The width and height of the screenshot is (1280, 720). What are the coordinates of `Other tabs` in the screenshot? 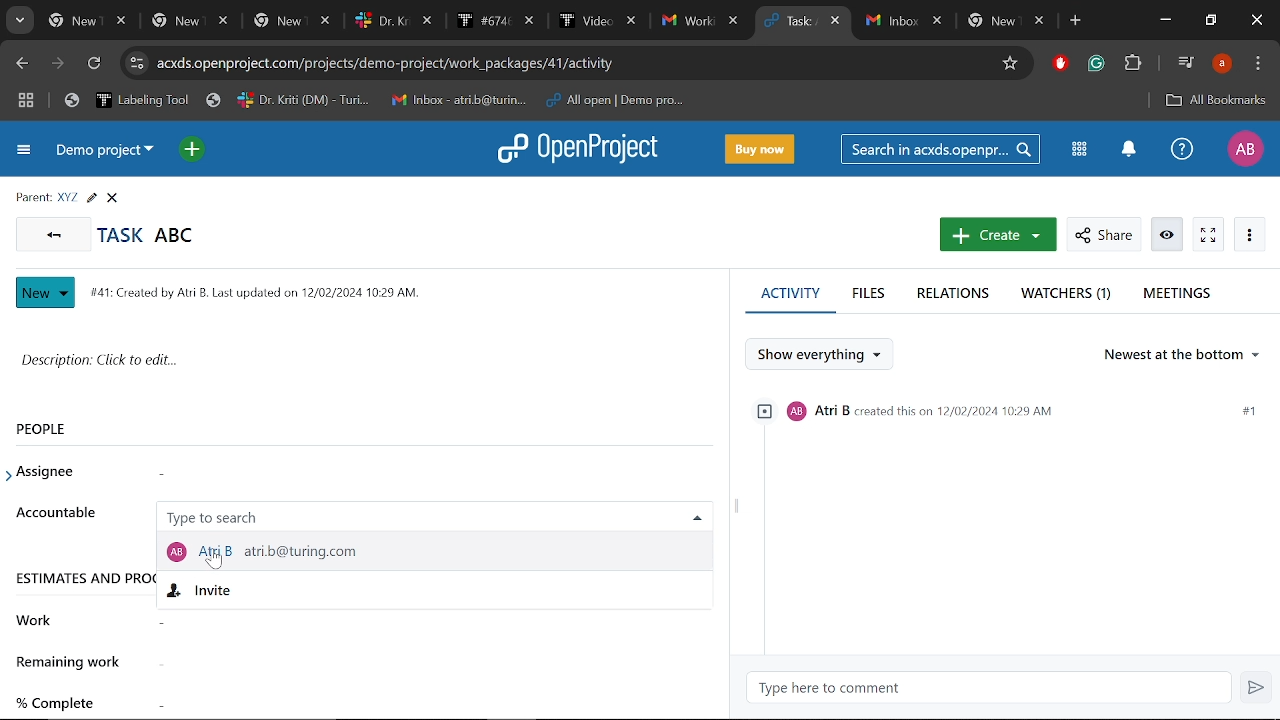 It's located at (959, 21).